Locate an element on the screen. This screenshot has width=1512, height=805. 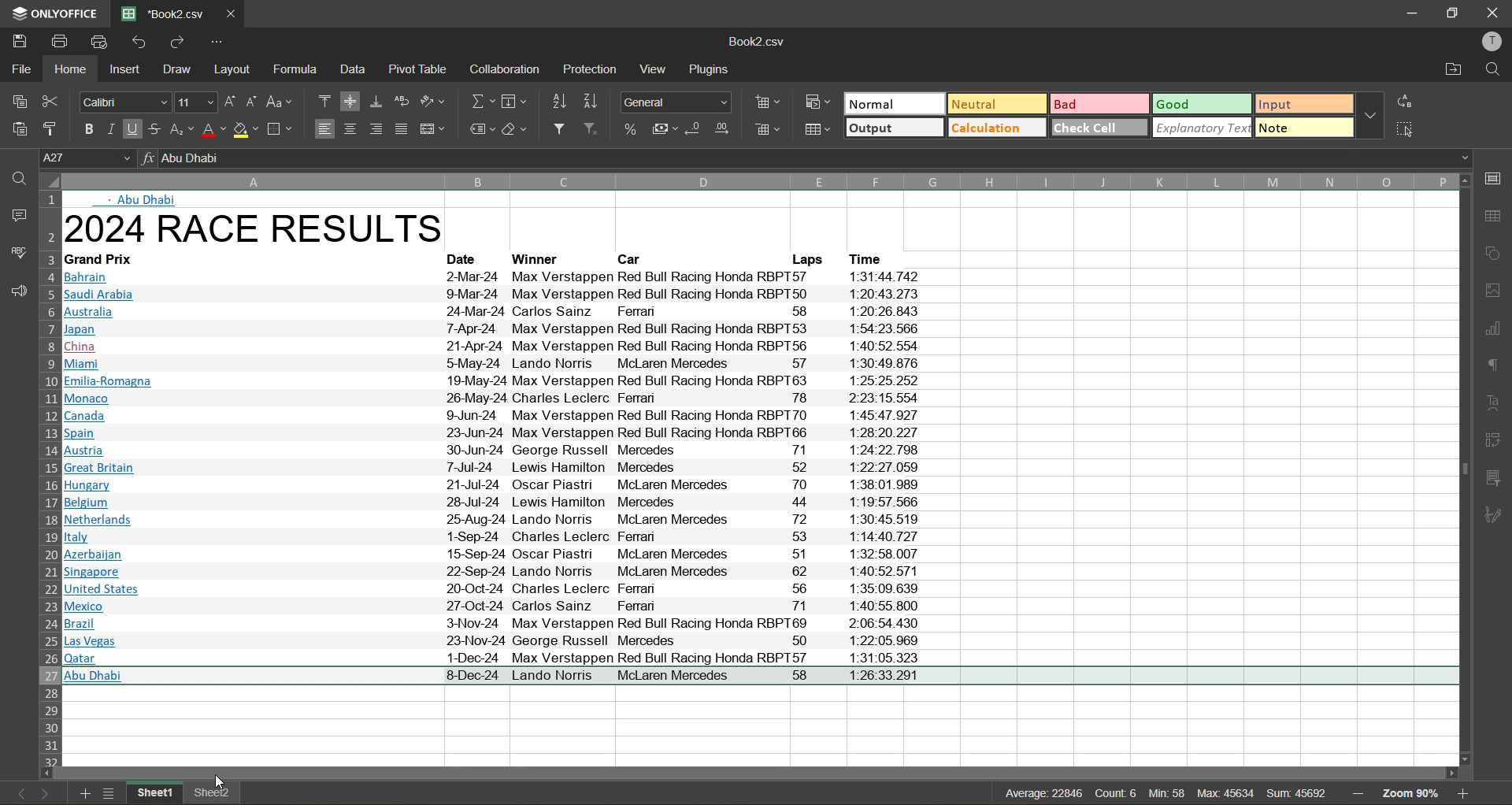
text info is located at coordinates (507, 450).